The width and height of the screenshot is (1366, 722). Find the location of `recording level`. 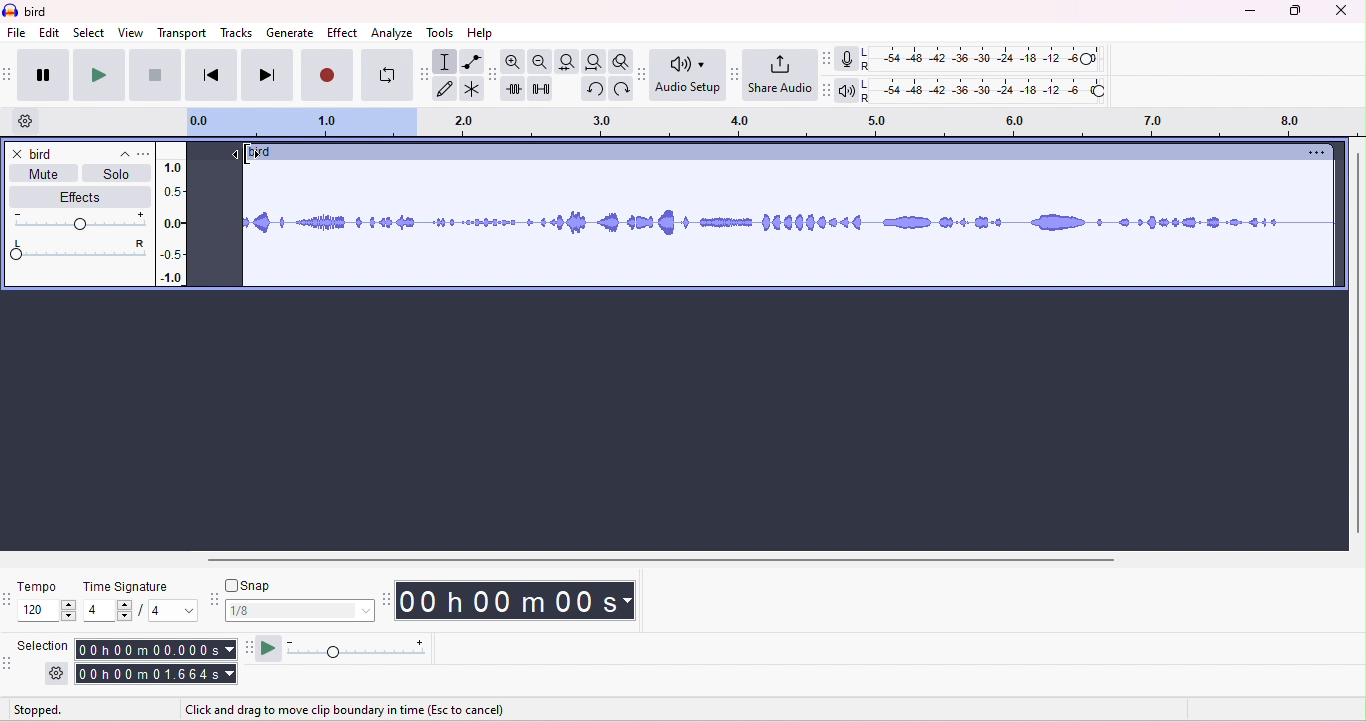

recording level is located at coordinates (983, 59).